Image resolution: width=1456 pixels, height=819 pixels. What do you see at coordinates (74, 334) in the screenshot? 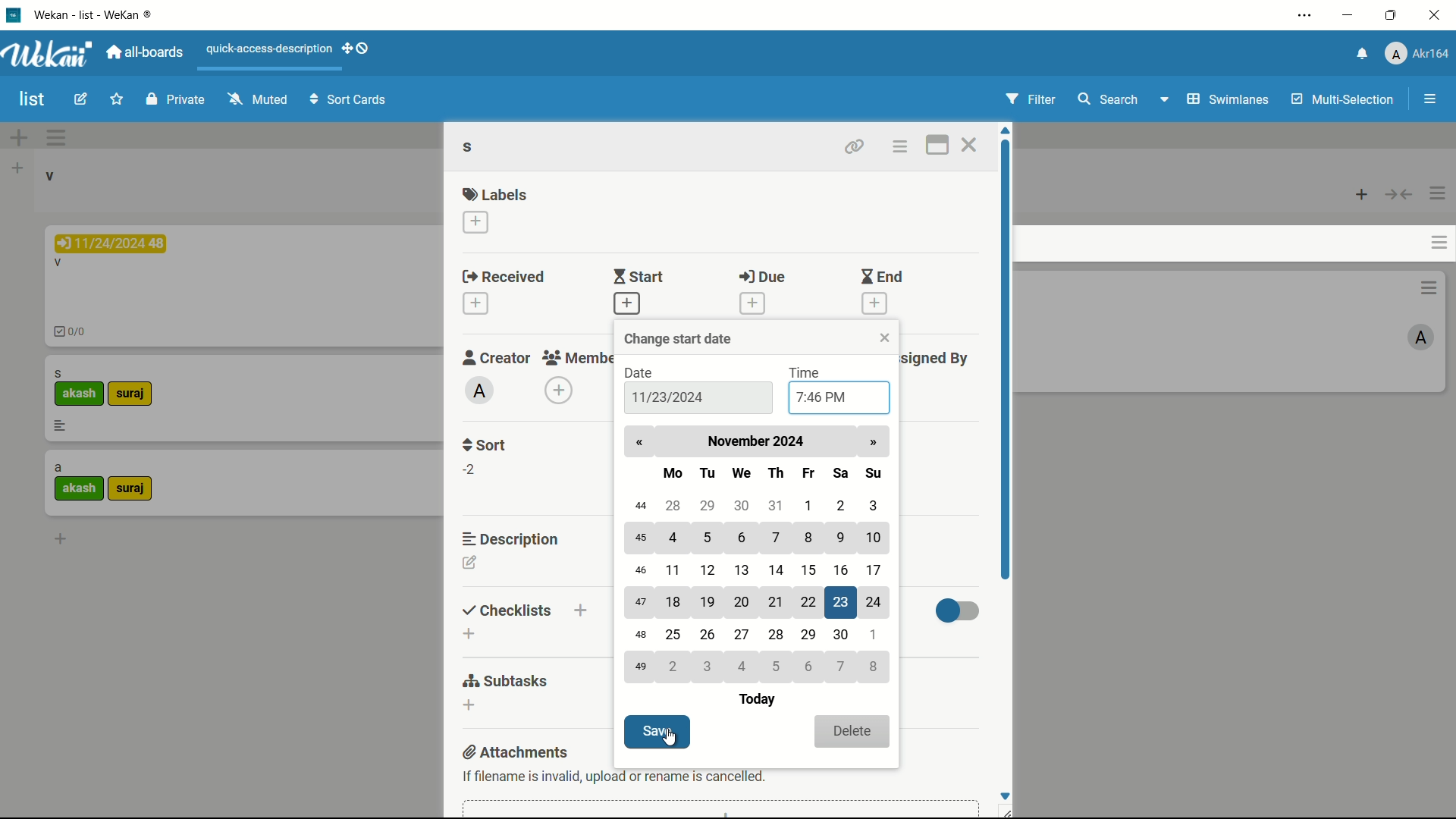
I see `checklist` at bounding box center [74, 334].